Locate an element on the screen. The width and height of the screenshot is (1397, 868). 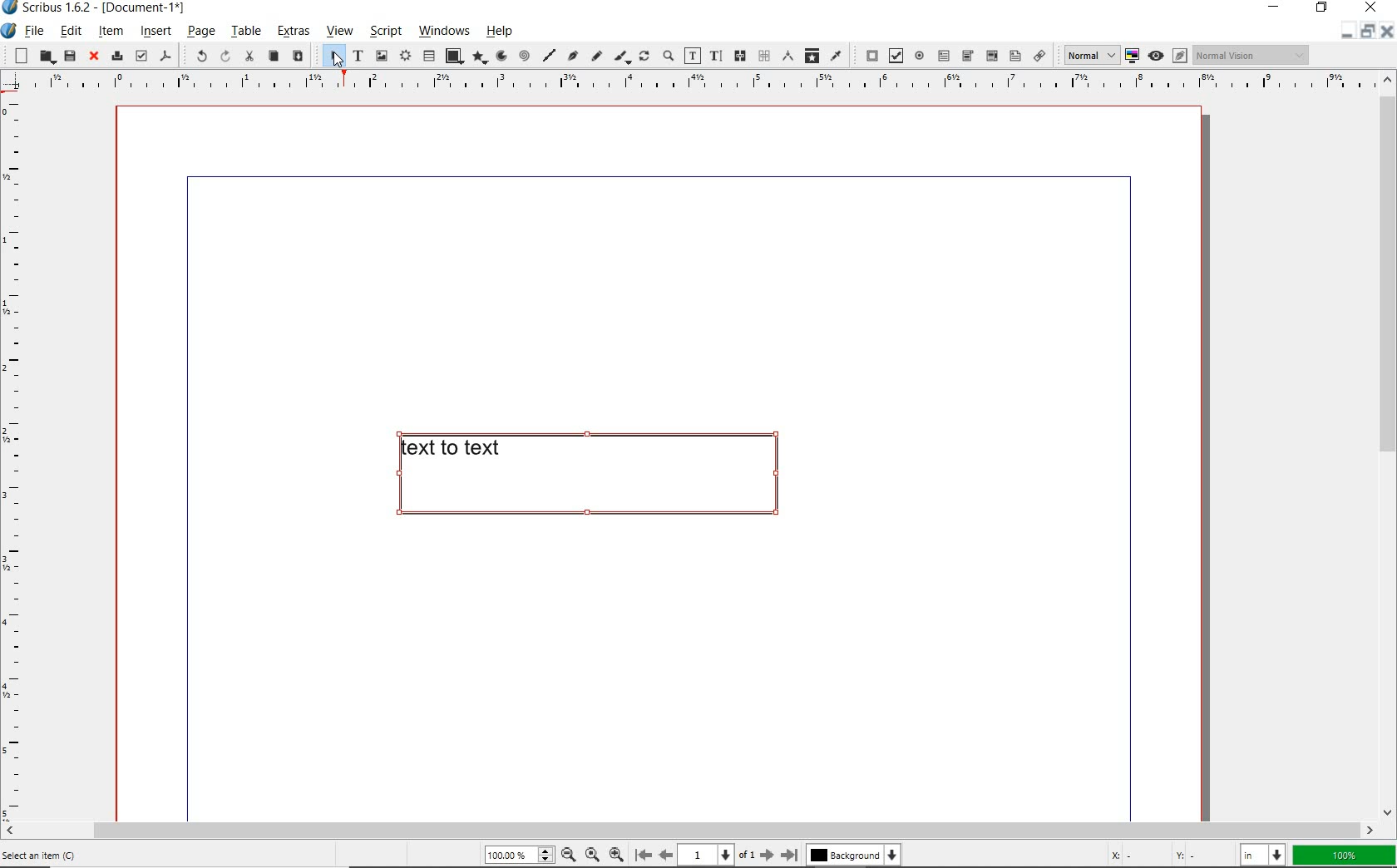
polygon is located at coordinates (477, 58).